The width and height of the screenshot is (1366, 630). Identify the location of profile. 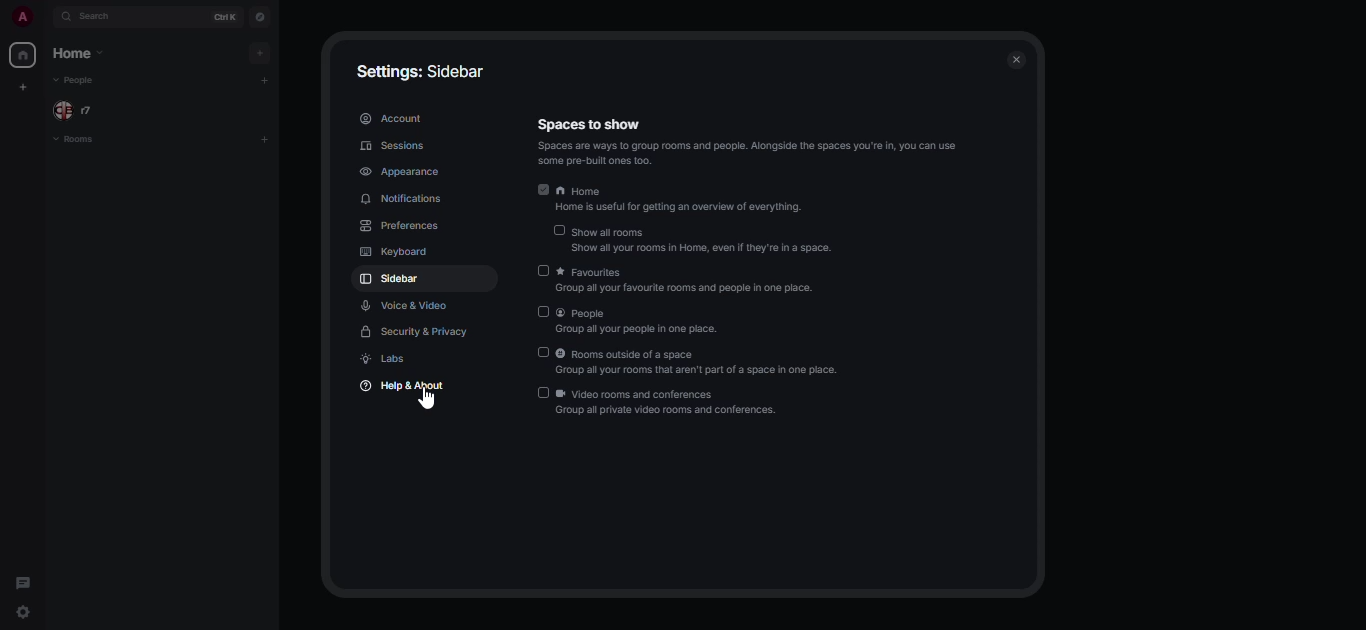
(17, 17).